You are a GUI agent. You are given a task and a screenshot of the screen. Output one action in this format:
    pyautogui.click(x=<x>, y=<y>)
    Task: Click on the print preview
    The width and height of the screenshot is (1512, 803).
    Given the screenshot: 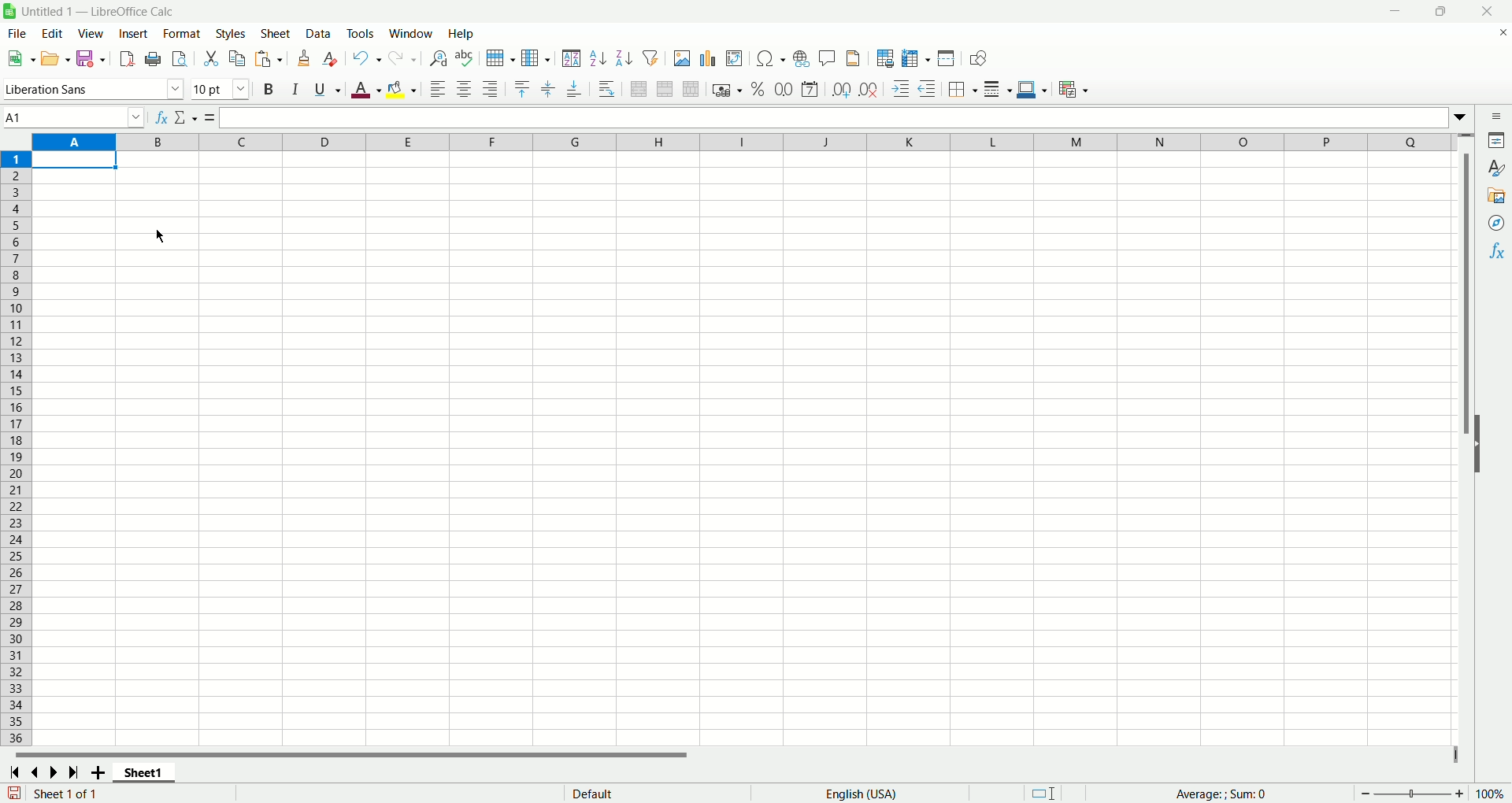 What is the action you would take?
    pyautogui.click(x=180, y=57)
    